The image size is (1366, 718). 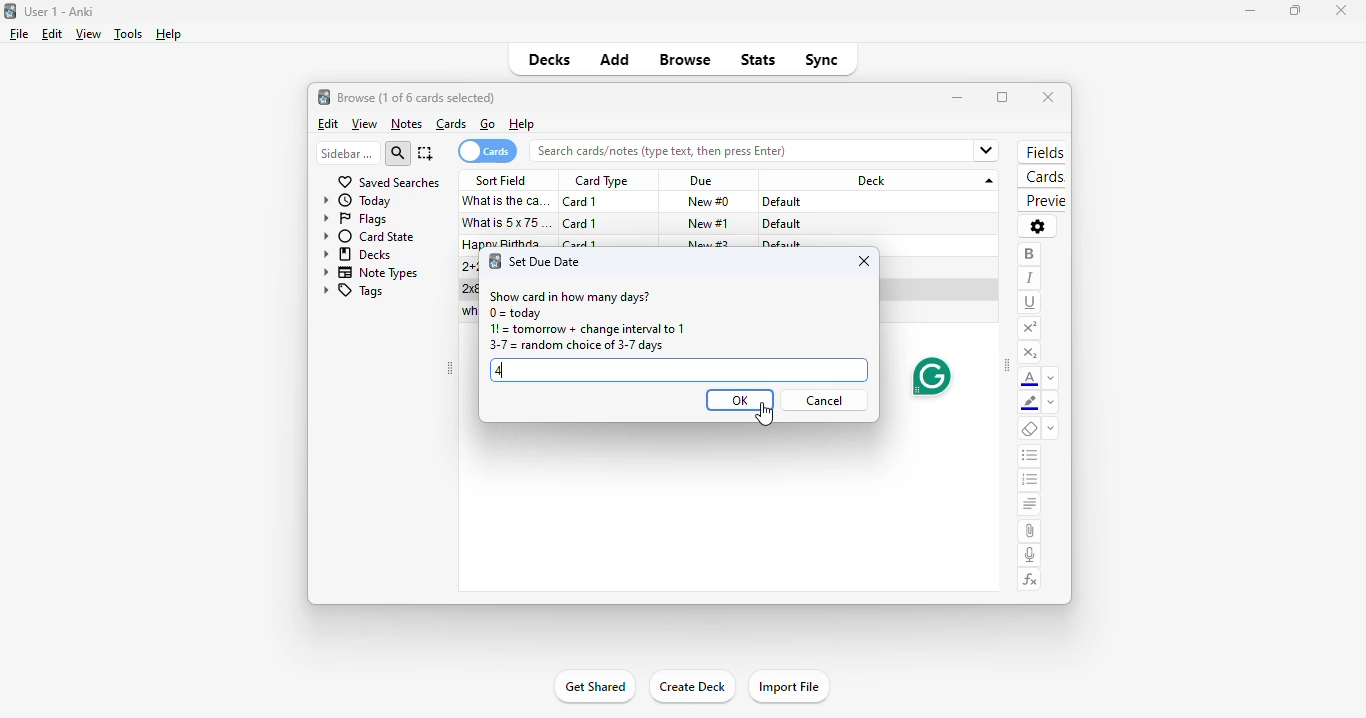 What do you see at coordinates (581, 224) in the screenshot?
I see `card 1` at bounding box center [581, 224].